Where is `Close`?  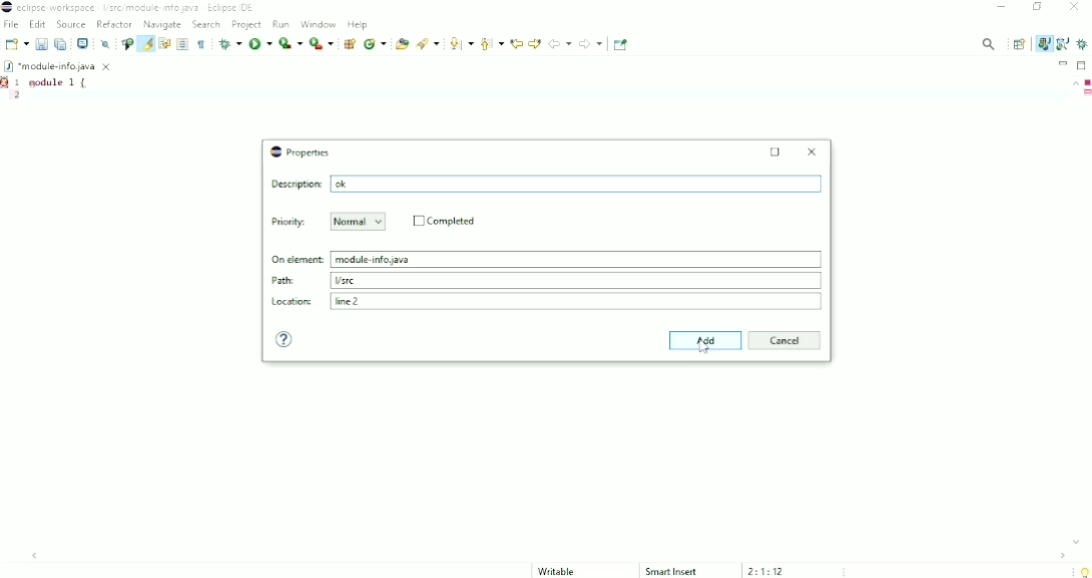
Close is located at coordinates (814, 151).